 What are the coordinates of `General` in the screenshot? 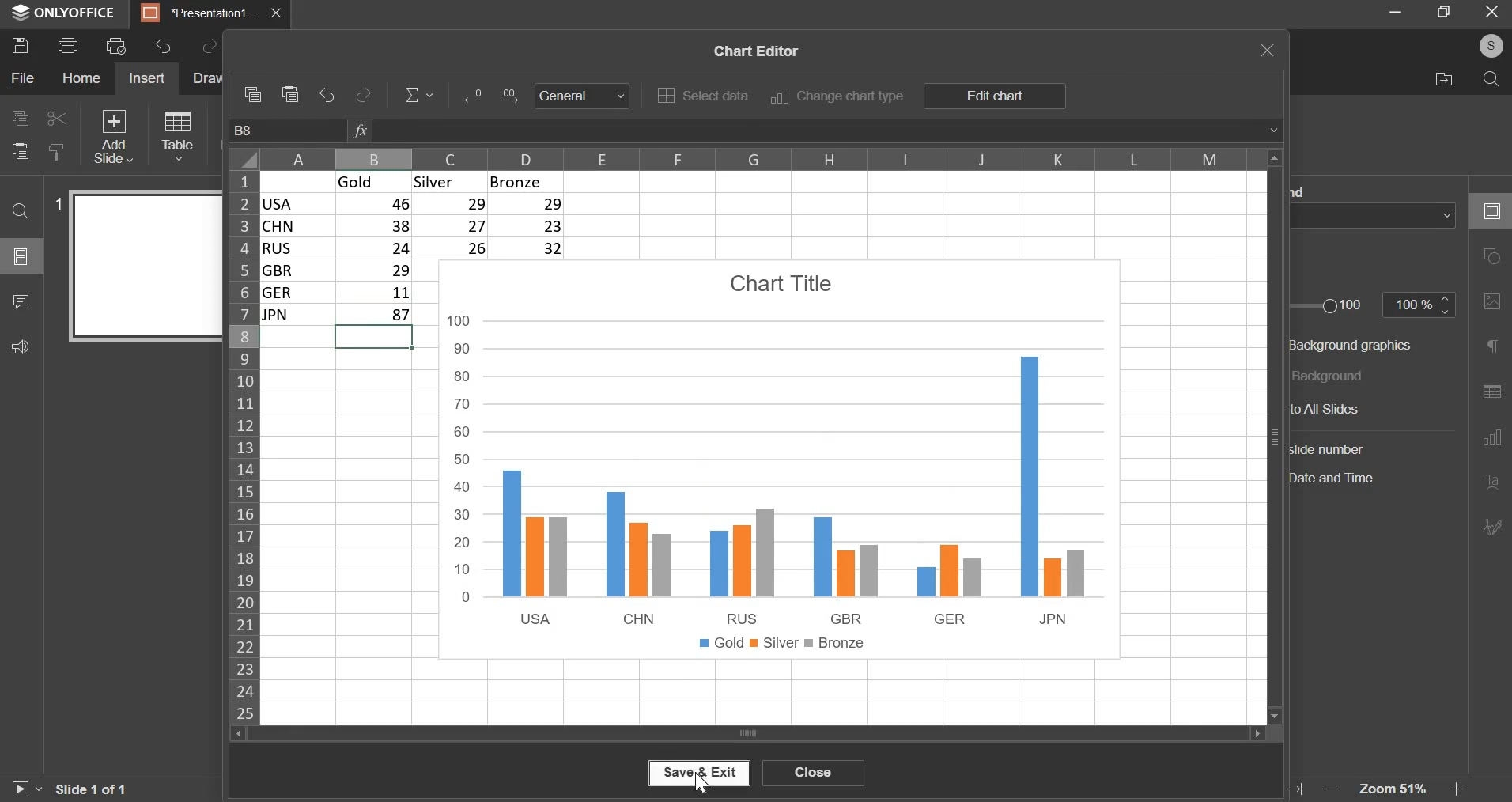 It's located at (581, 95).